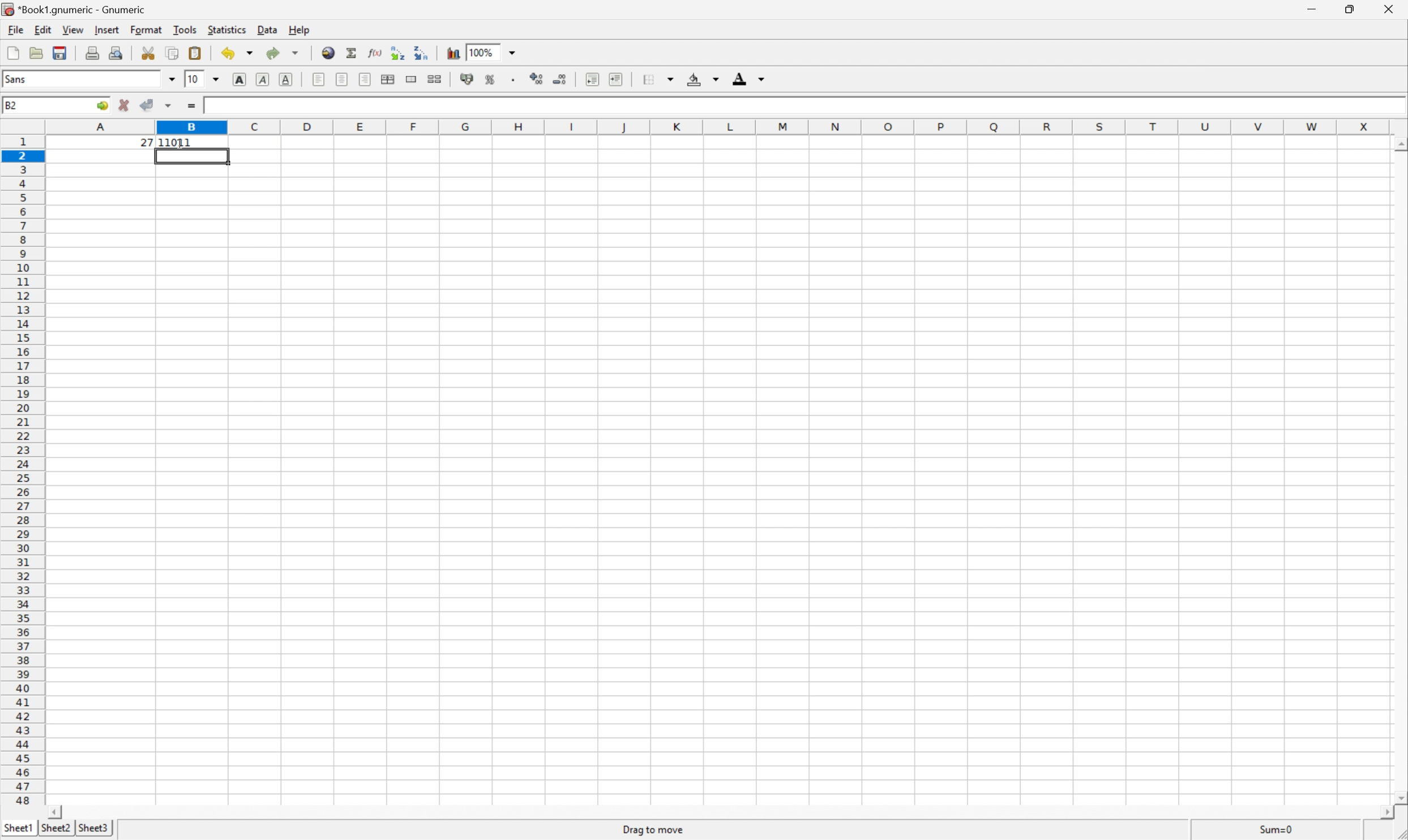 The height and width of the screenshot is (840, 1408). I want to click on Sheet1, so click(19, 828).